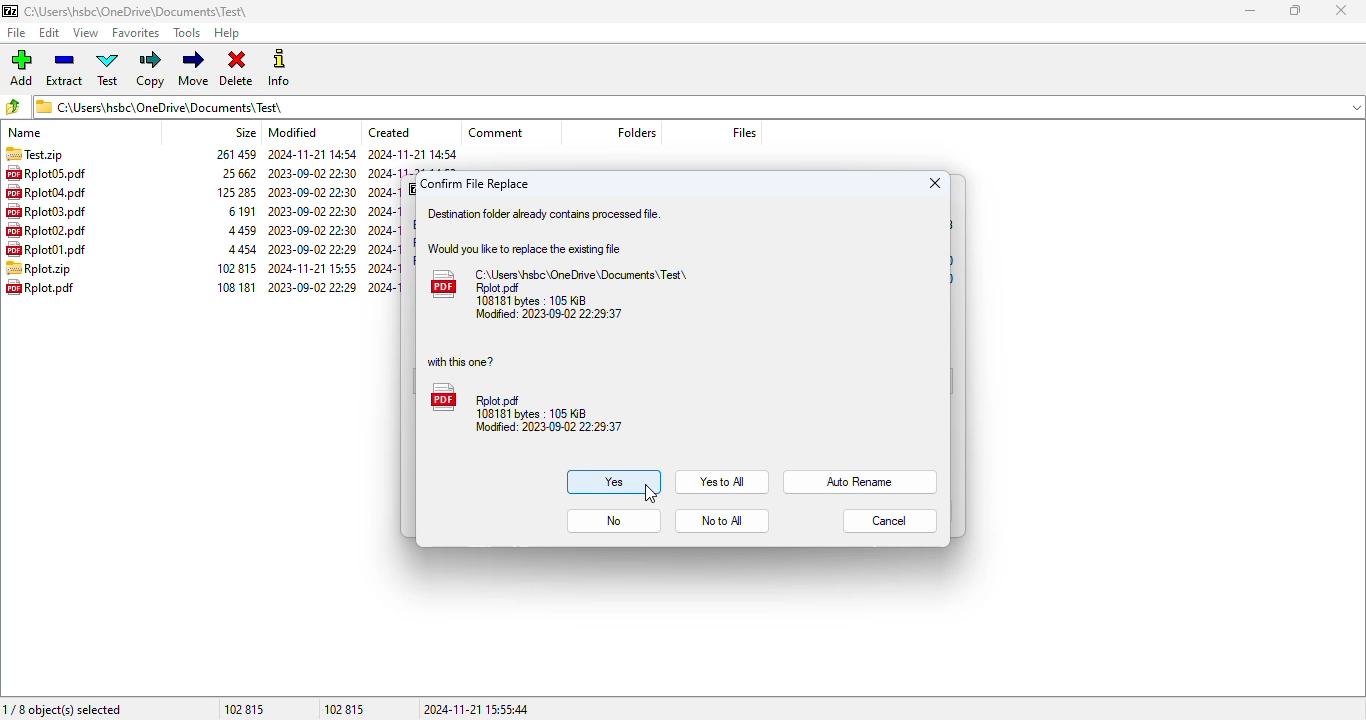 Image resolution: width=1366 pixels, height=720 pixels. Describe the element at coordinates (614, 521) in the screenshot. I see `No` at that location.